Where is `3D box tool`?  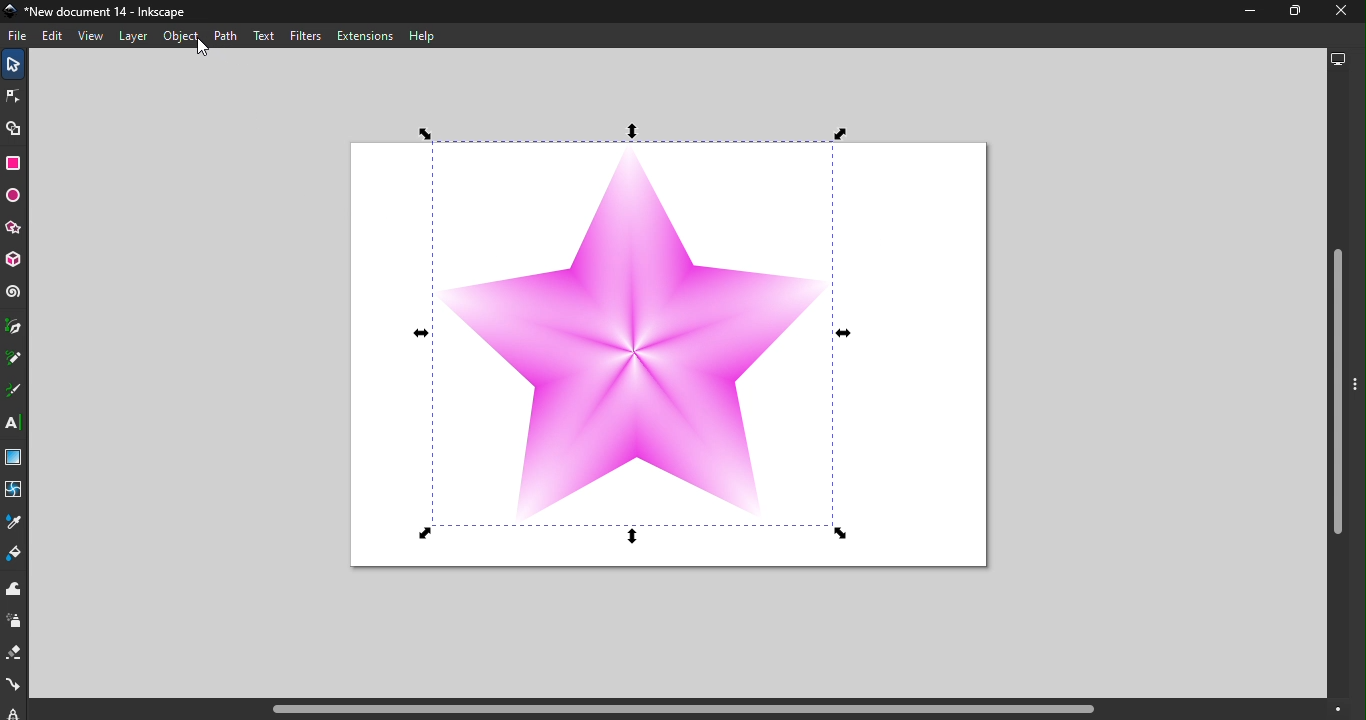 3D box tool is located at coordinates (18, 261).